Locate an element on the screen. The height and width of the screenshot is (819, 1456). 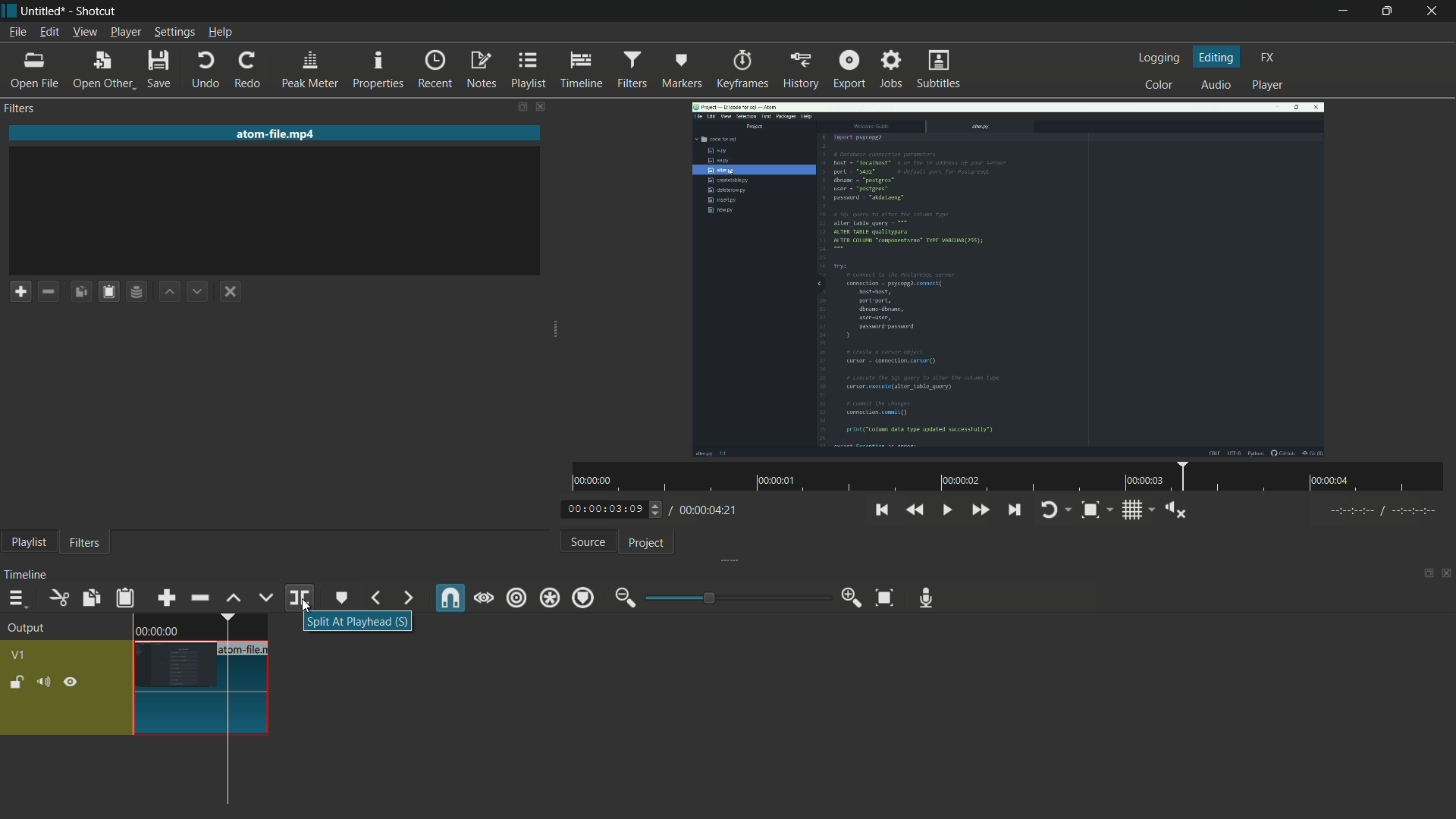
create or edit marker is located at coordinates (340, 598).